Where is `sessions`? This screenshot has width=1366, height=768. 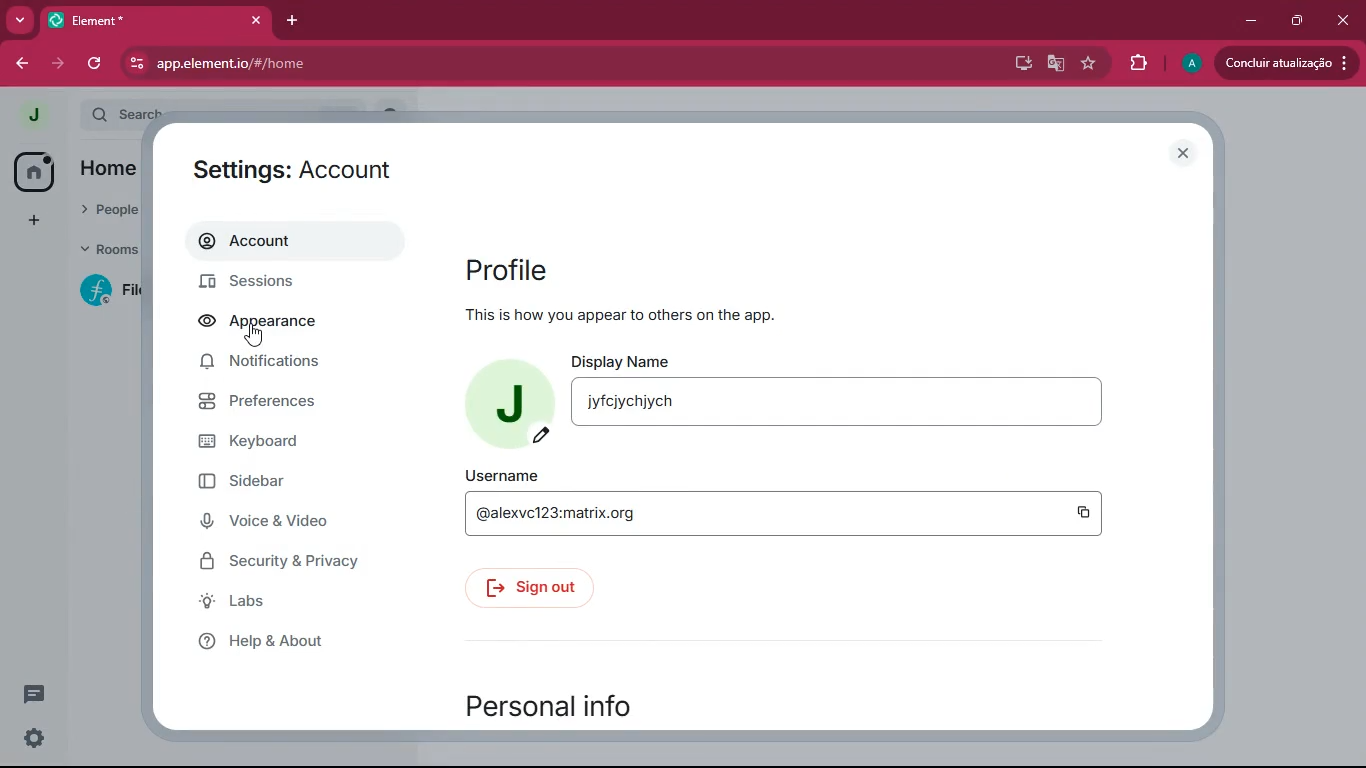
sessions is located at coordinates (283, 280).